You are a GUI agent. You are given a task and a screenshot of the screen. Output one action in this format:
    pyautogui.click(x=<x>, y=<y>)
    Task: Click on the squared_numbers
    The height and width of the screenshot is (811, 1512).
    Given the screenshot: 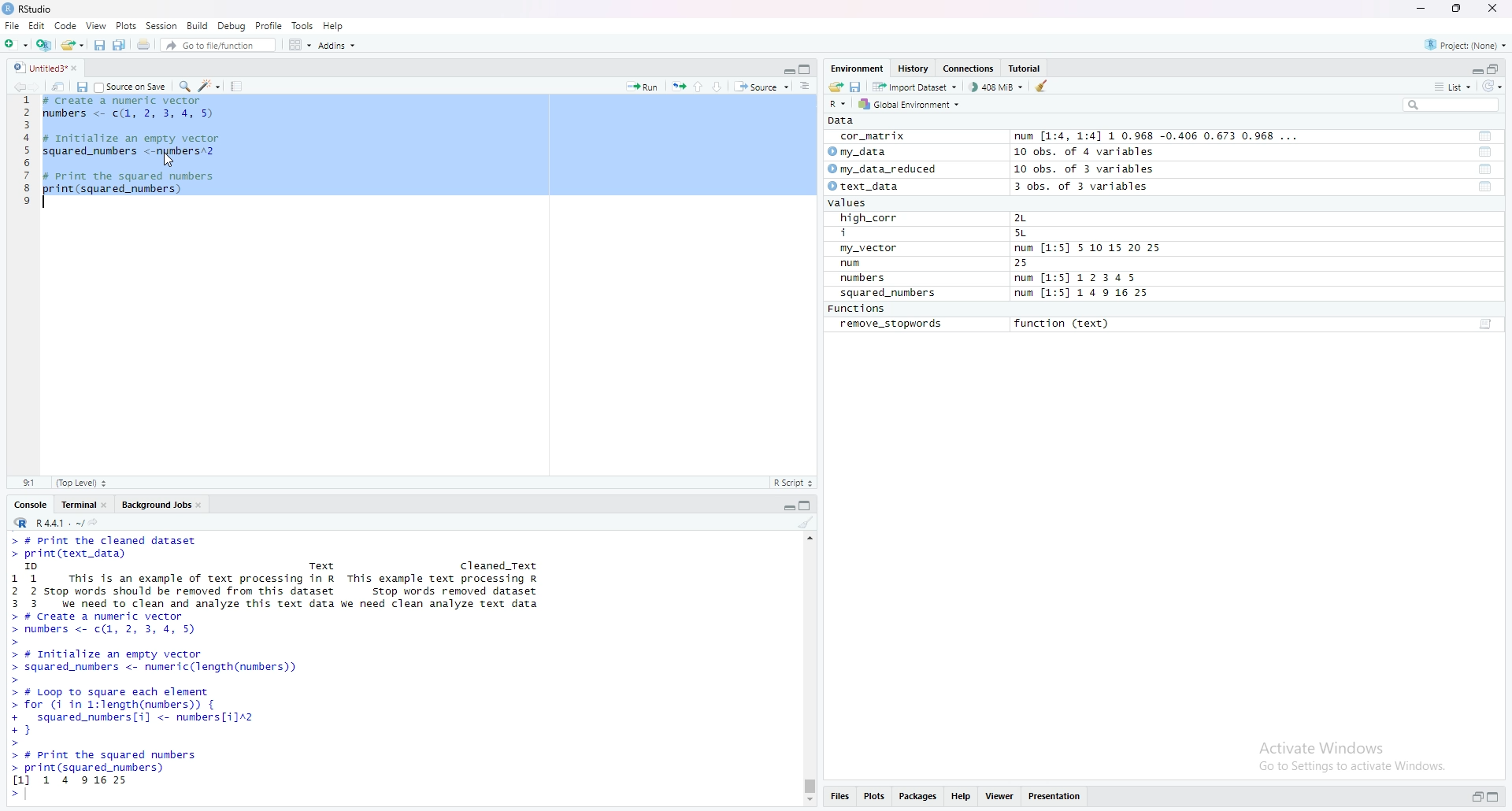 What is the action you would take?
    pyautogui.click(x=889, y=295)
    